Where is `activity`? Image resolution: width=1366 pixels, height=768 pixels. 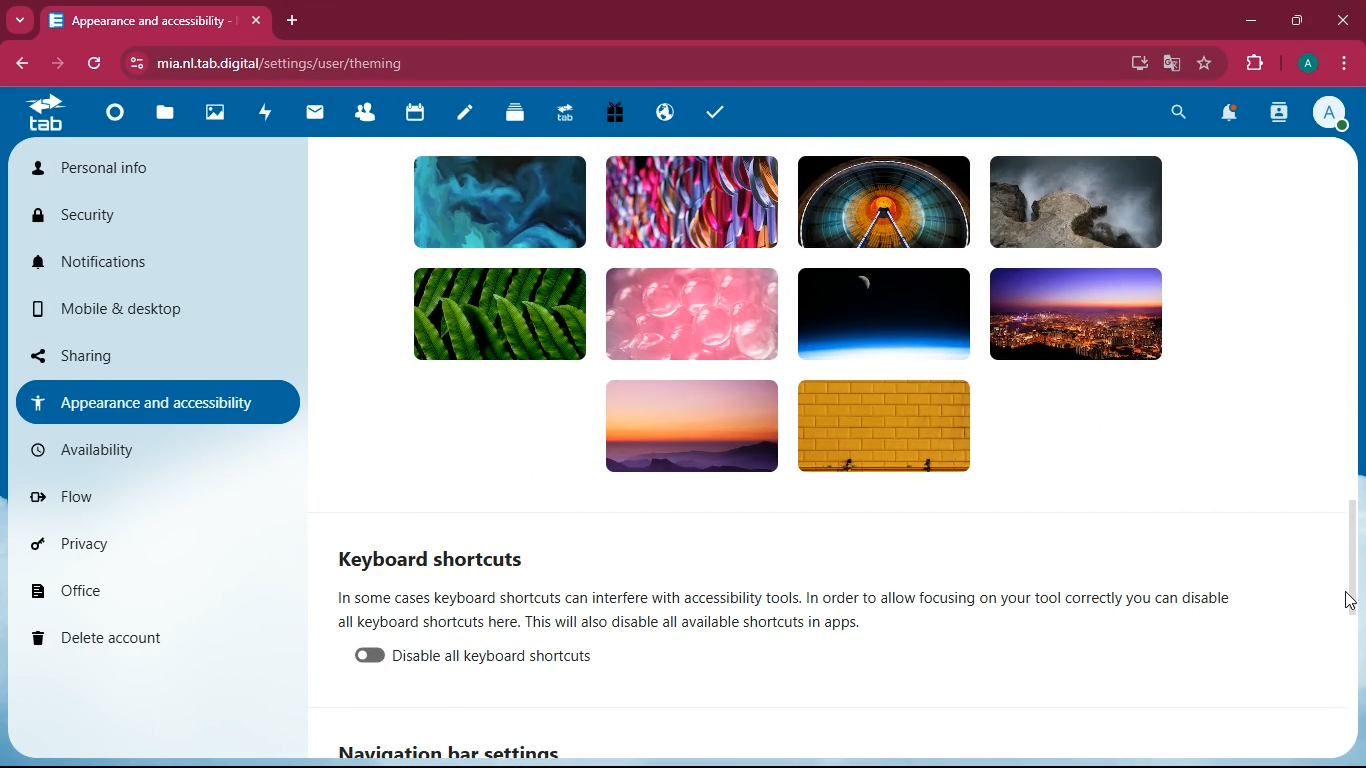
activity is located at coordinates (269, 114).